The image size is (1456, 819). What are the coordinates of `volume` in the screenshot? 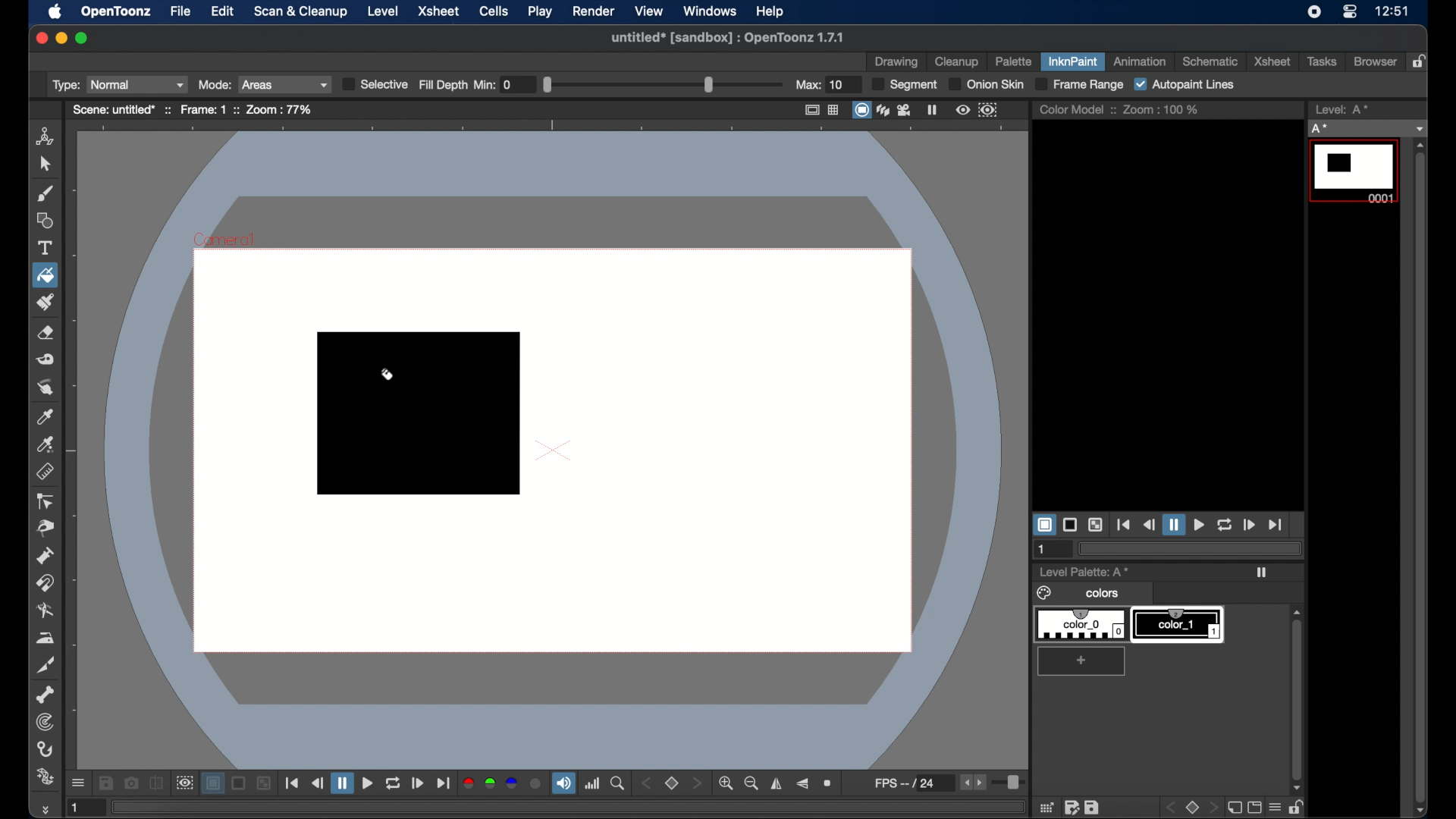 It's located at (563, 783).